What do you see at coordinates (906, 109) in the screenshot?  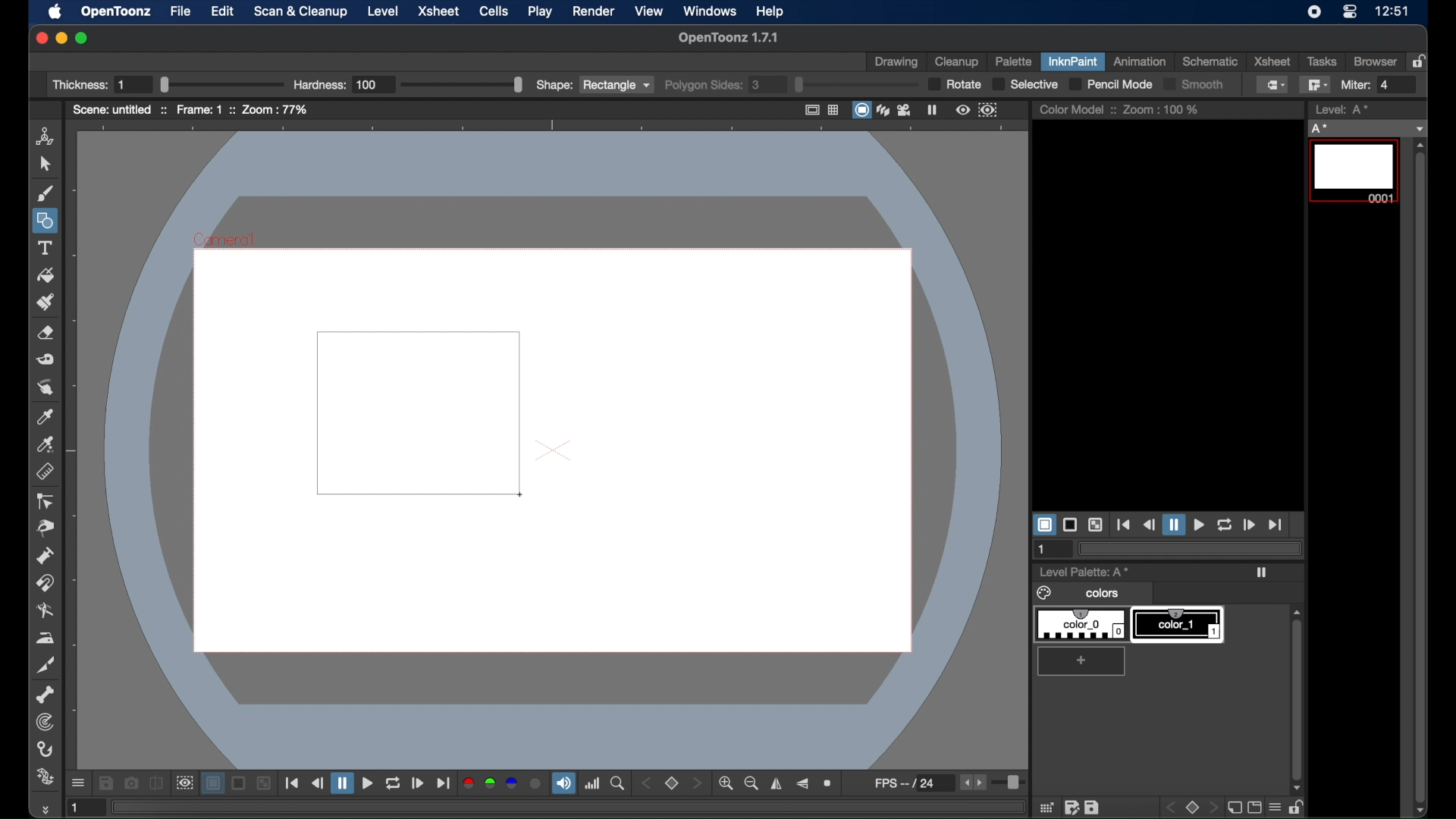 I see `camera` at bounding box center [906, 109].